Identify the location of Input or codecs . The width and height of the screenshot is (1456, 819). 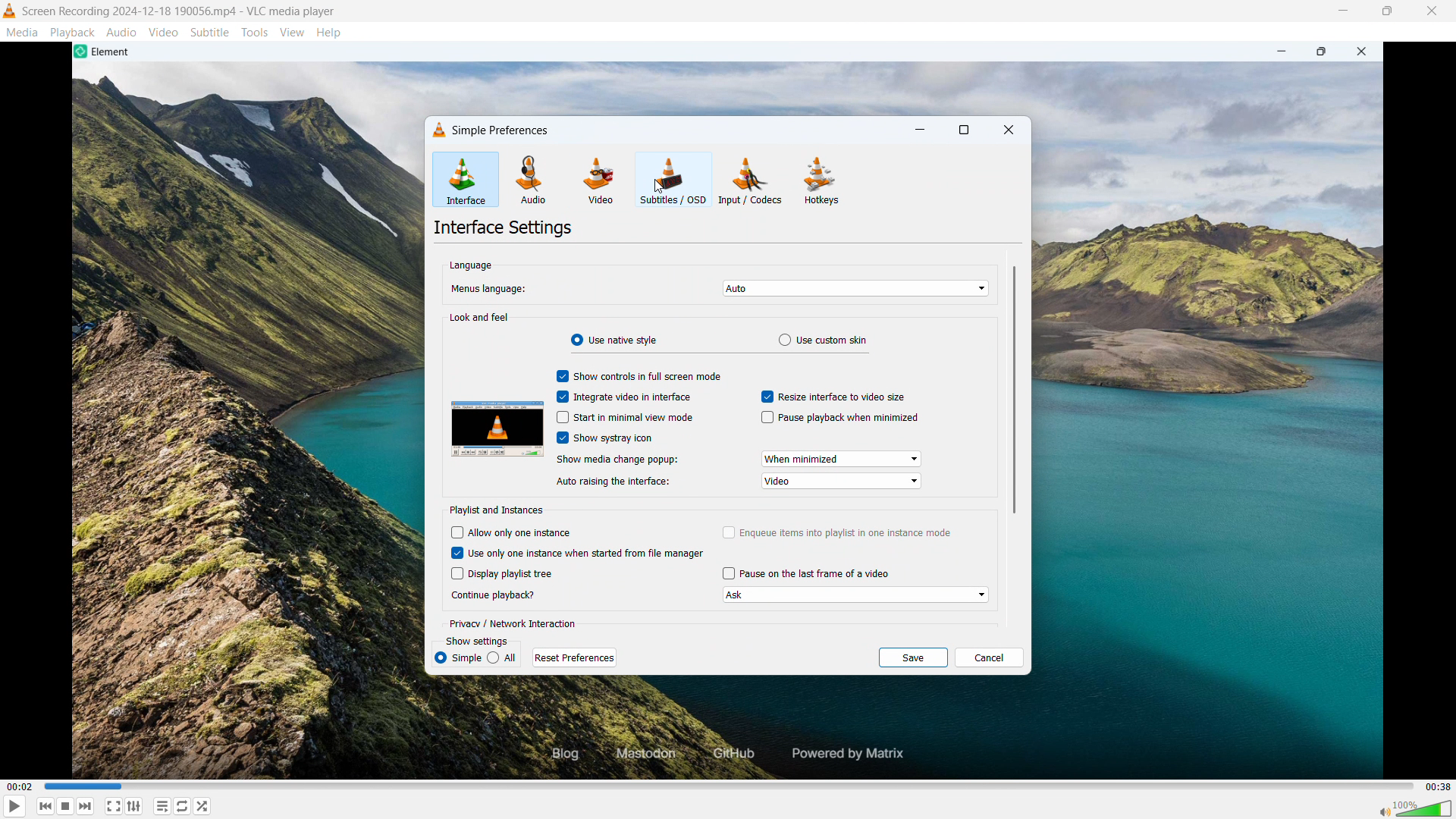
(751, 180).